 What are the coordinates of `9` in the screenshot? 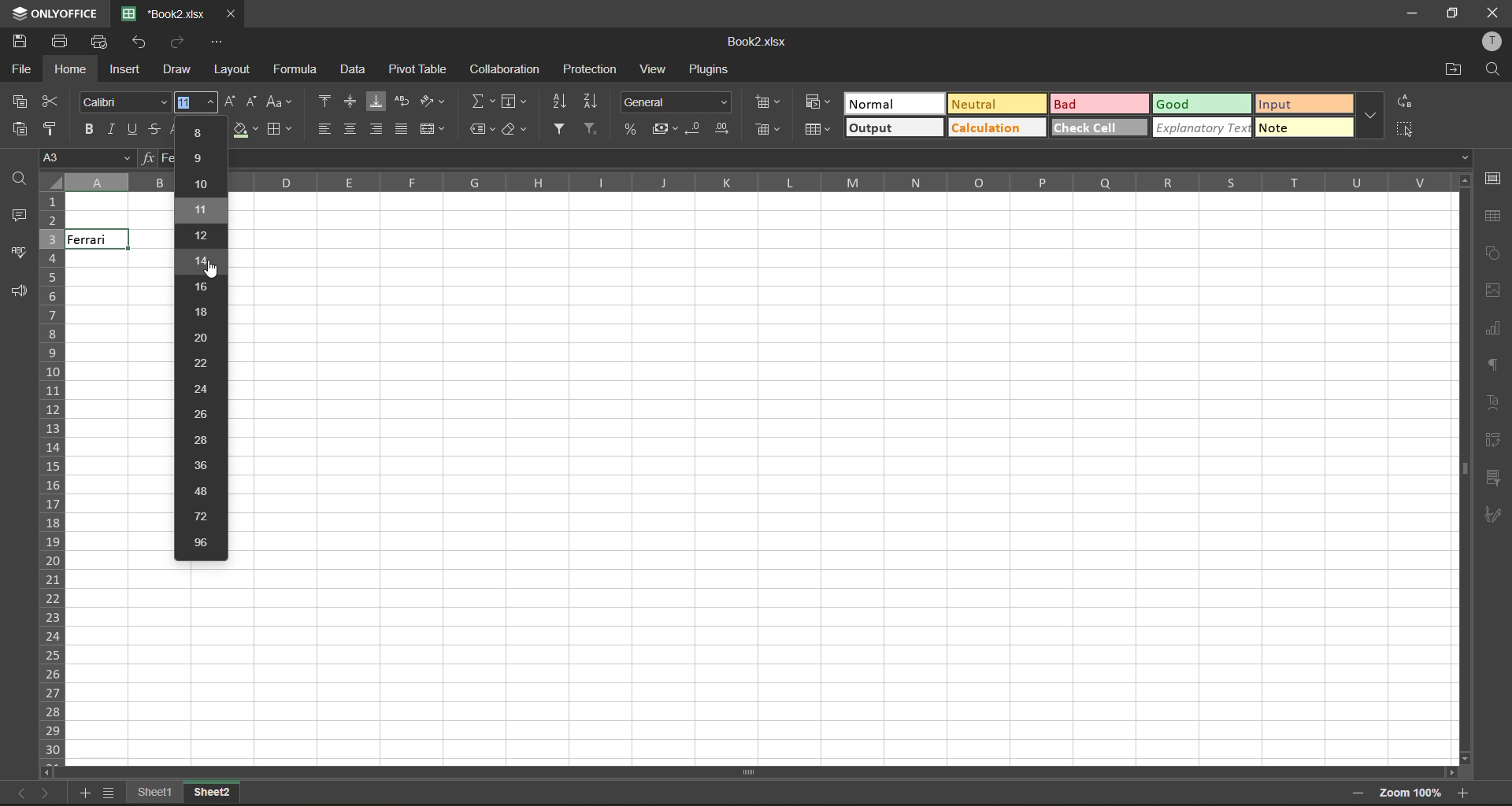 It's located at (202, 160).